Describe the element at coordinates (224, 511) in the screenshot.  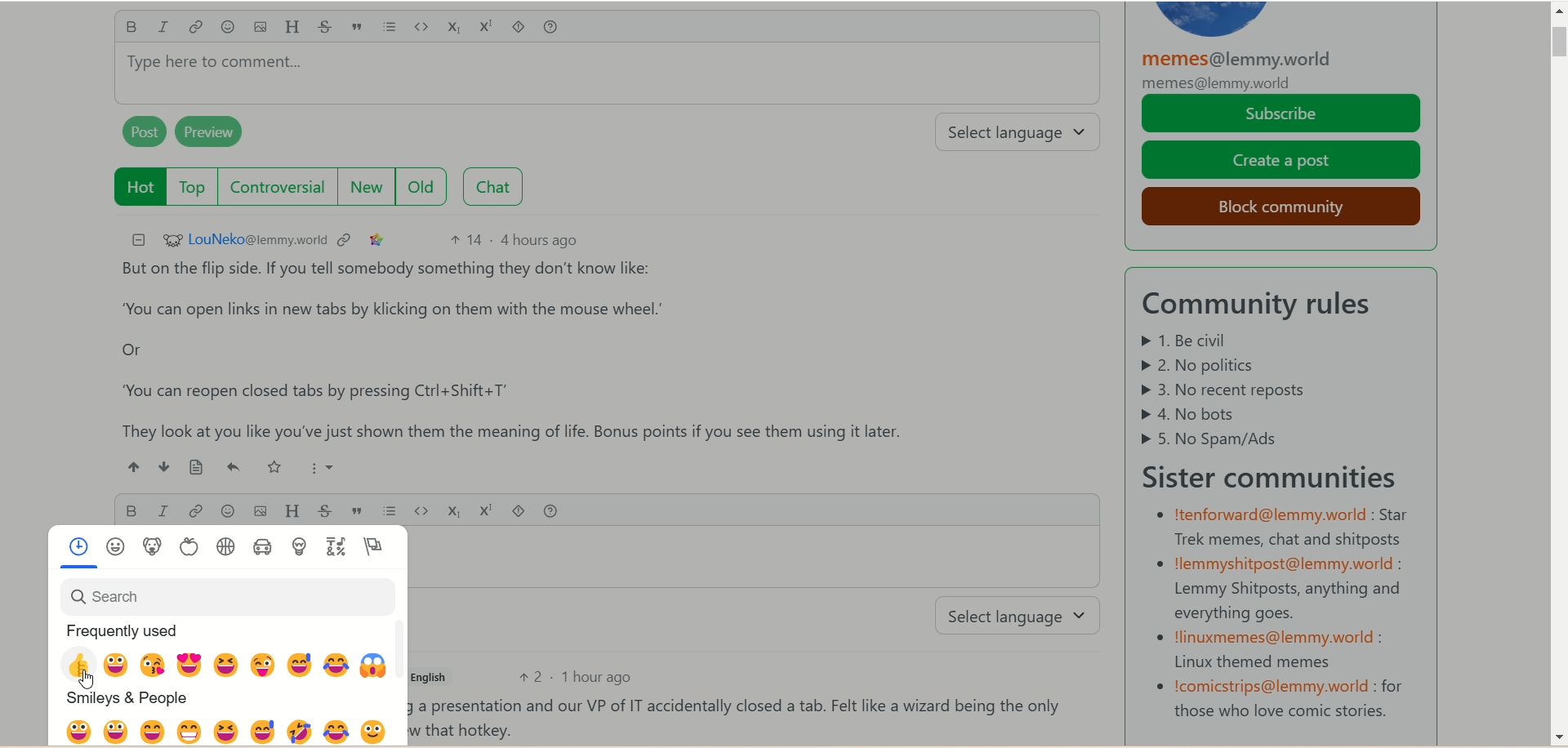
I see `emoji` at that location.